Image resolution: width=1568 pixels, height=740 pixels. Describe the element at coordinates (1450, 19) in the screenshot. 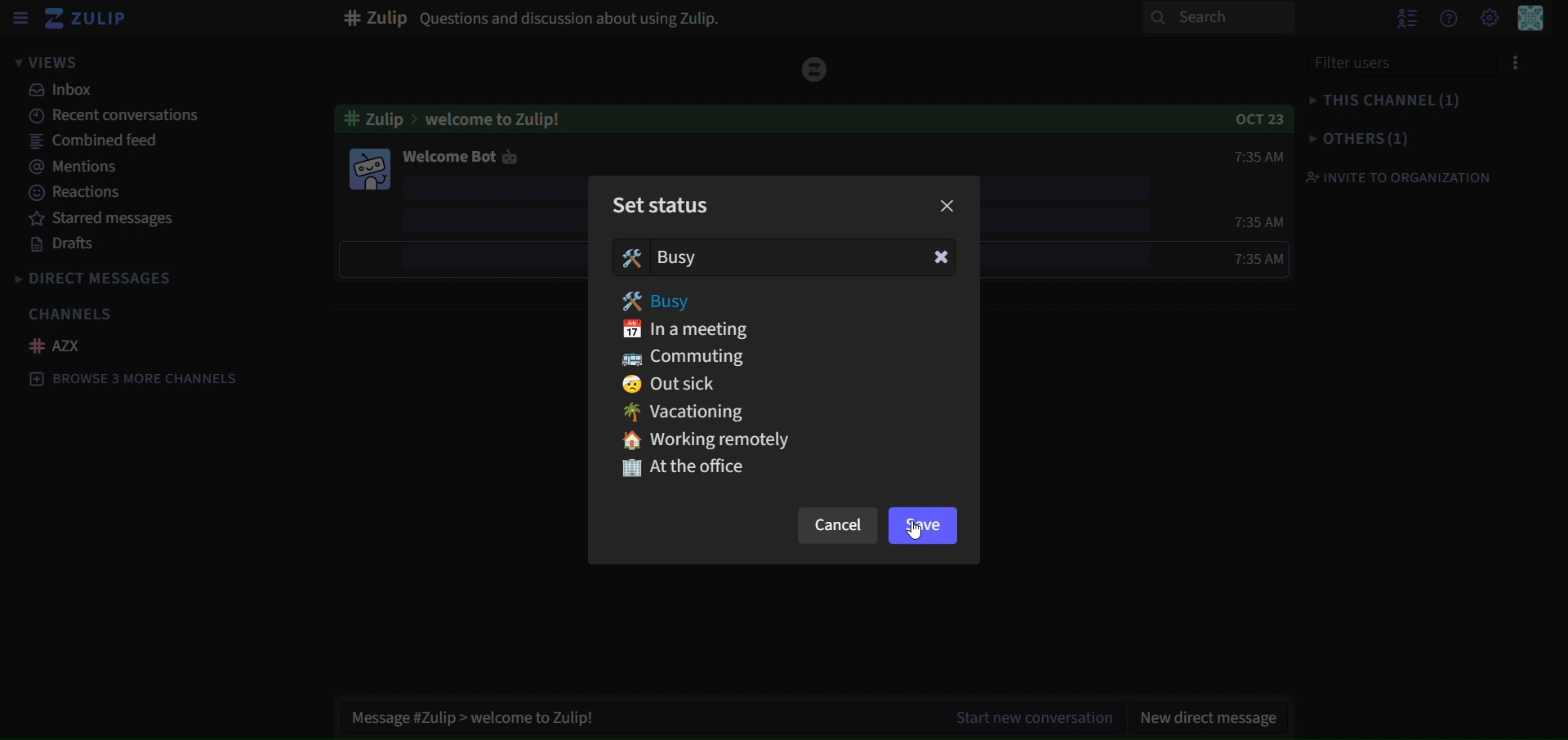

I see `get help` at that location.